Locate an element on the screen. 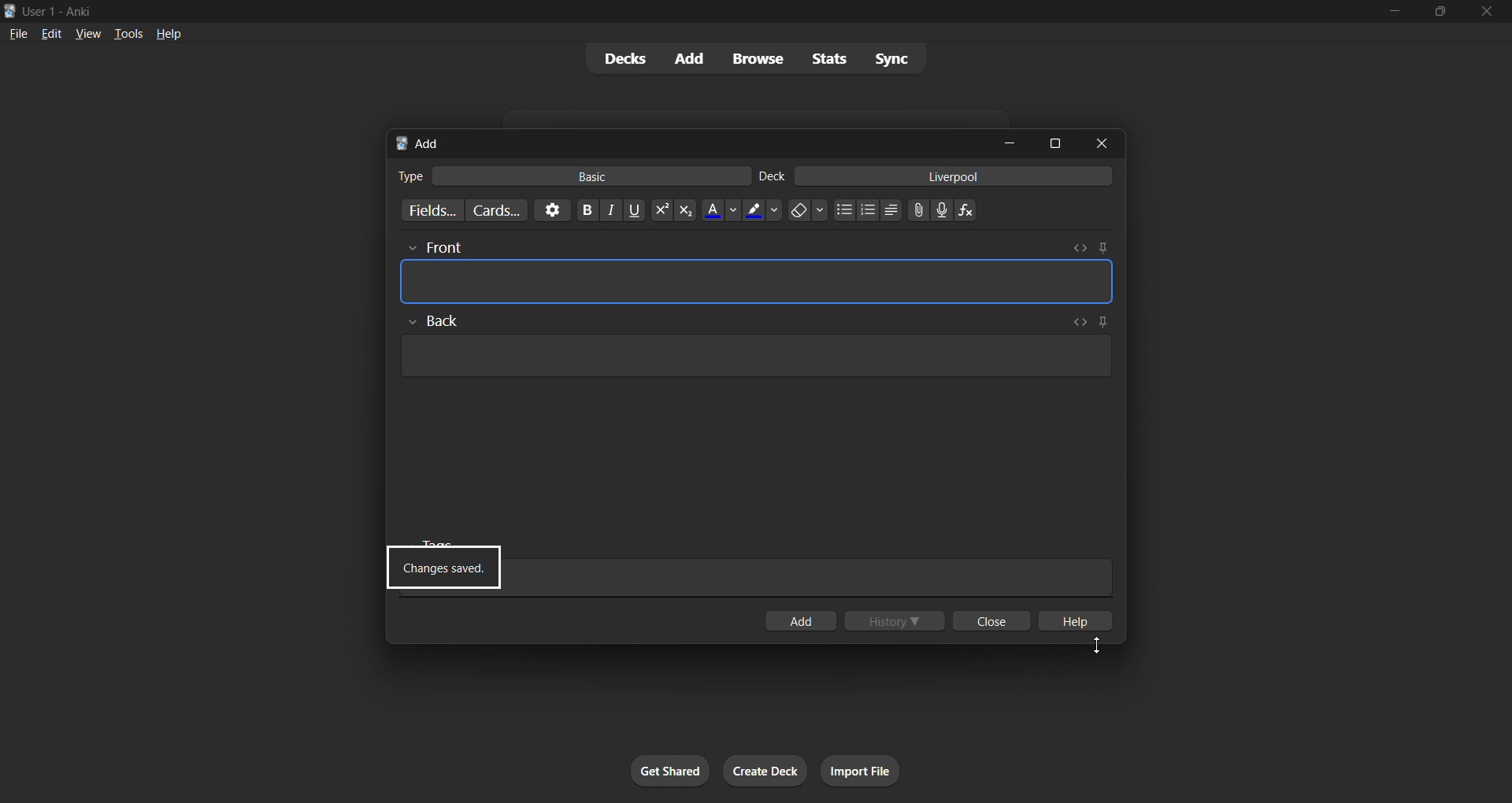 The width and height of the screenshot is (1512, 803).  create deck is located at coordinates (765, 770).